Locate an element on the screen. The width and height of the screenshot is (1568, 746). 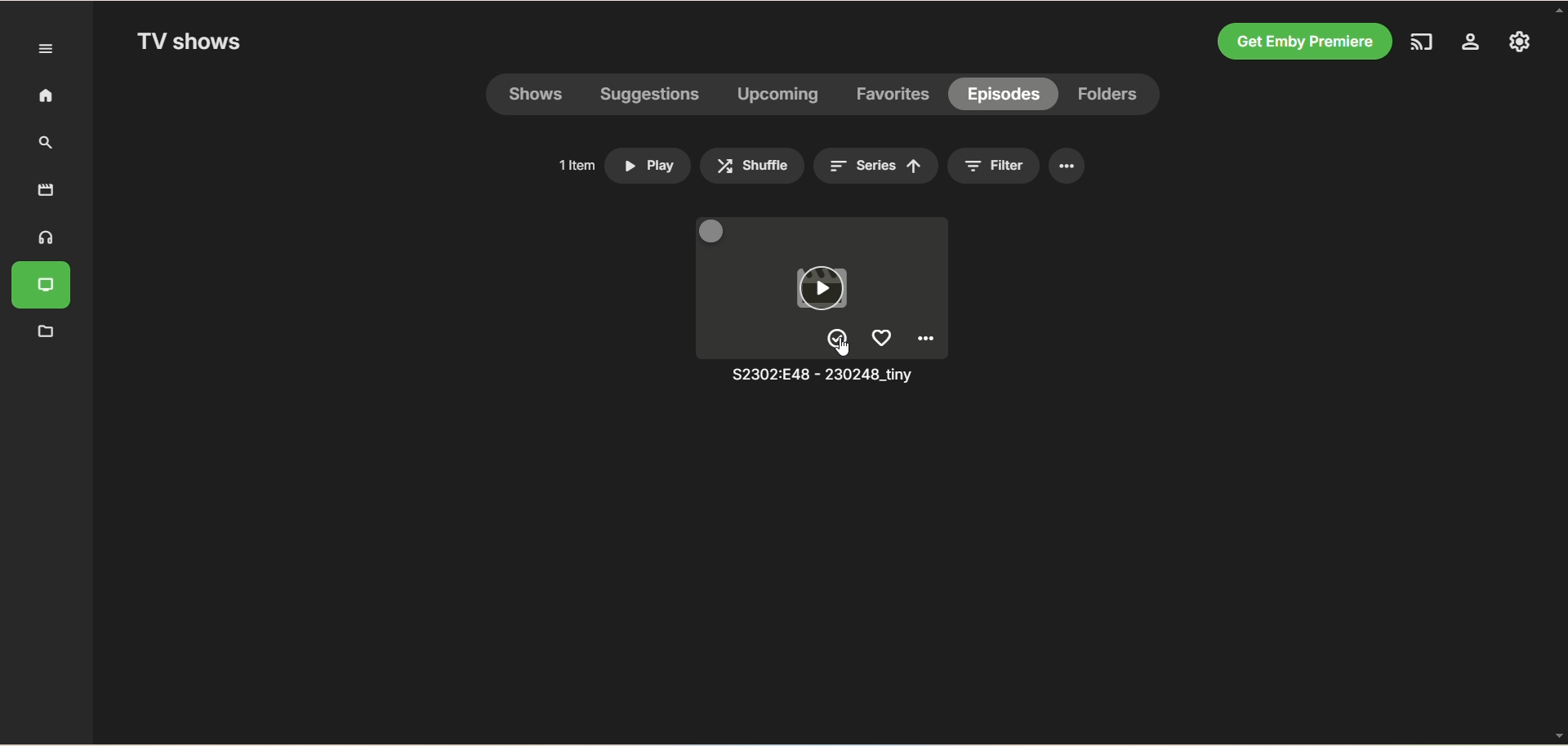
favorite is located at coordinates (881, 336).